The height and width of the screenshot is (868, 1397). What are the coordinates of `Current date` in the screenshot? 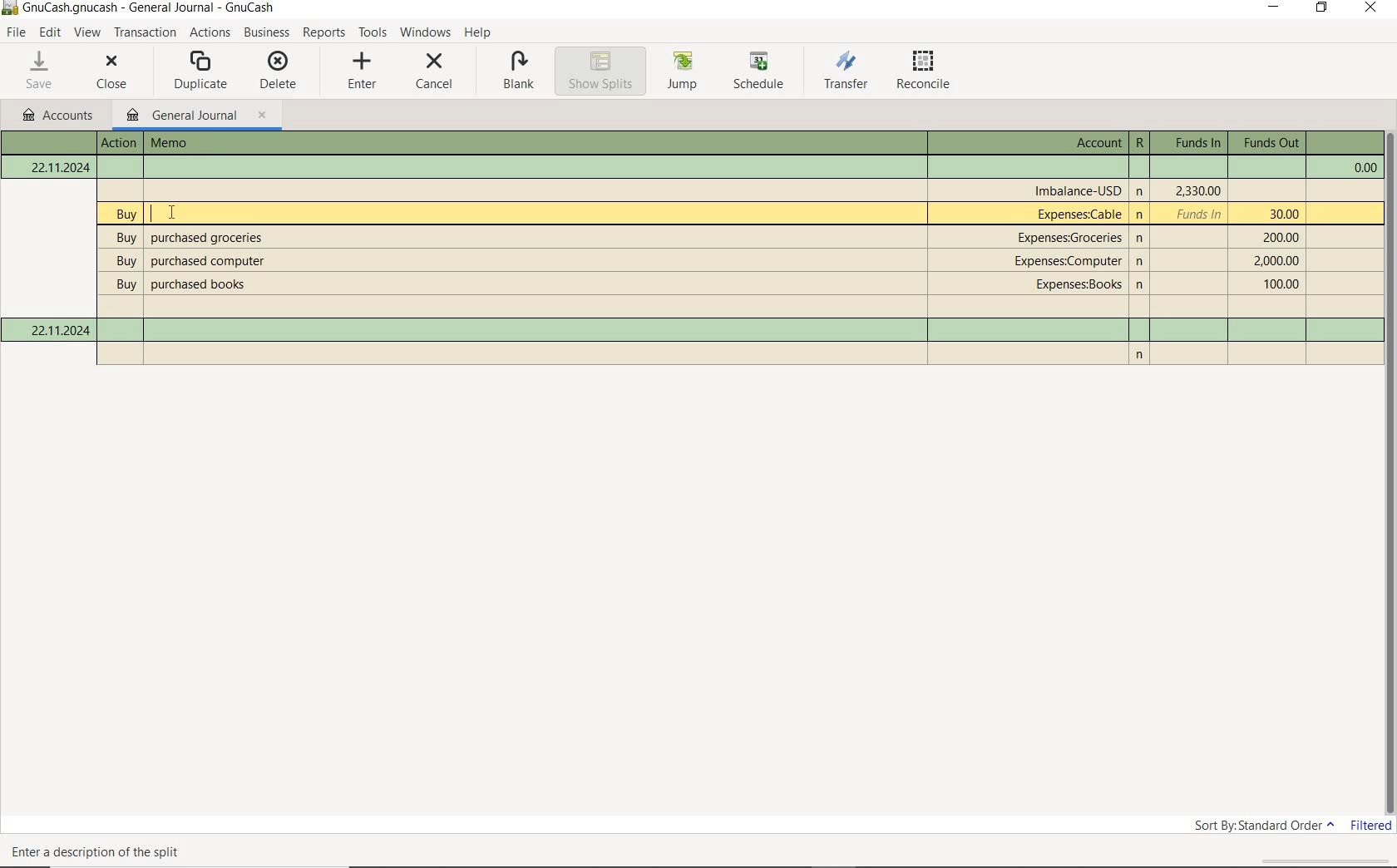 It's located at (58, 329).